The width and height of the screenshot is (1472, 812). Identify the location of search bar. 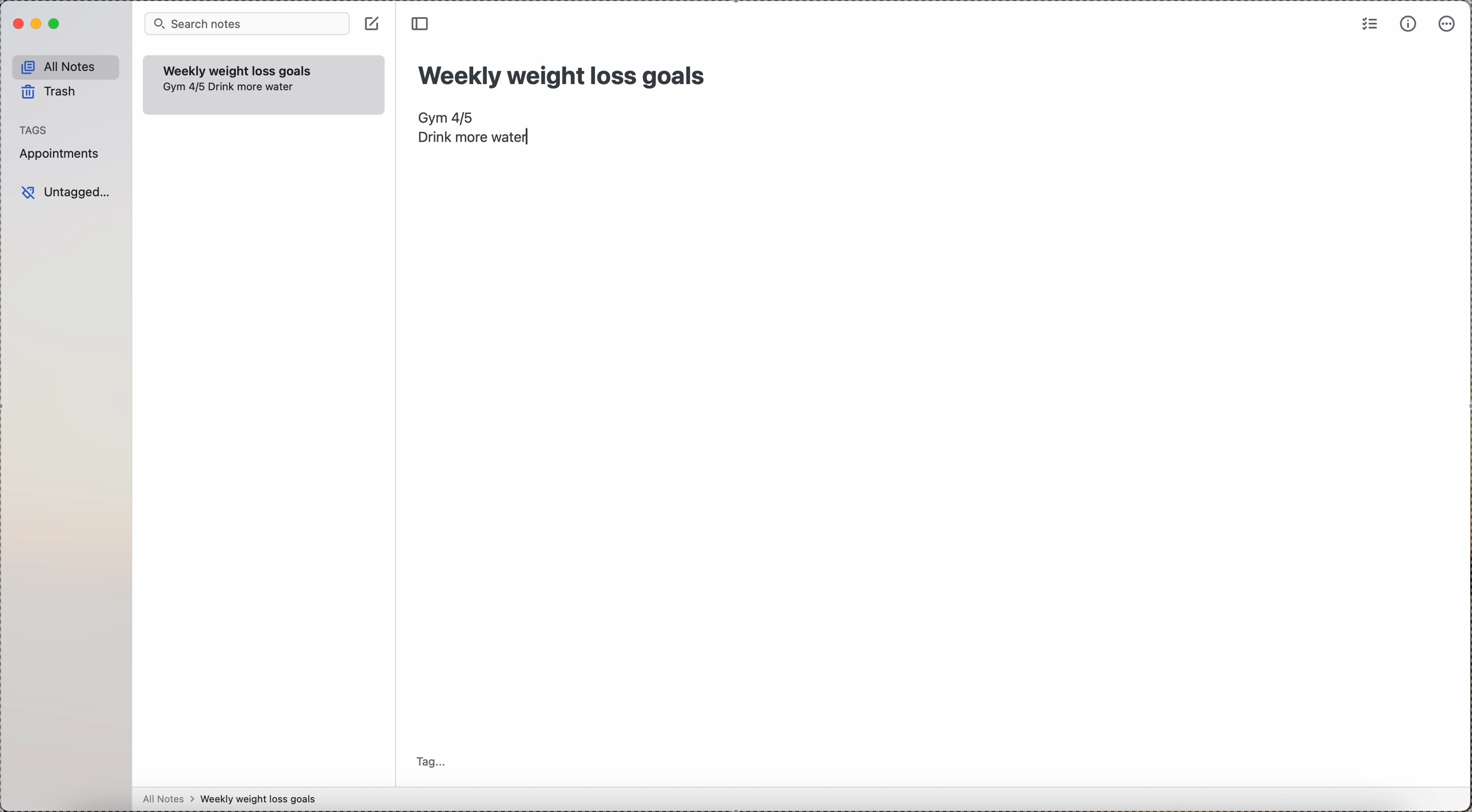
(247, 24).